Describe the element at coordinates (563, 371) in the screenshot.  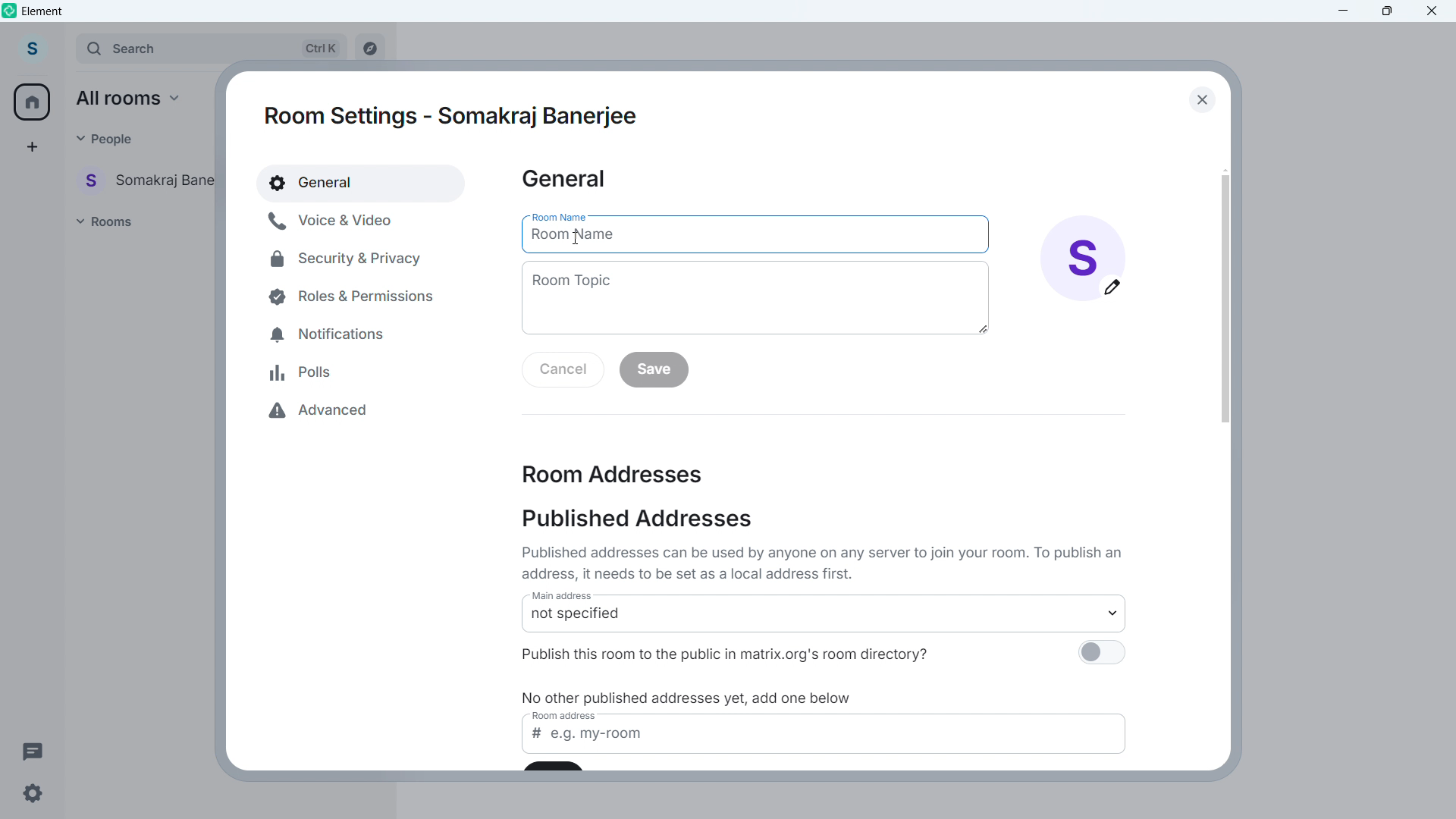
I see `Cancel ` at that location.